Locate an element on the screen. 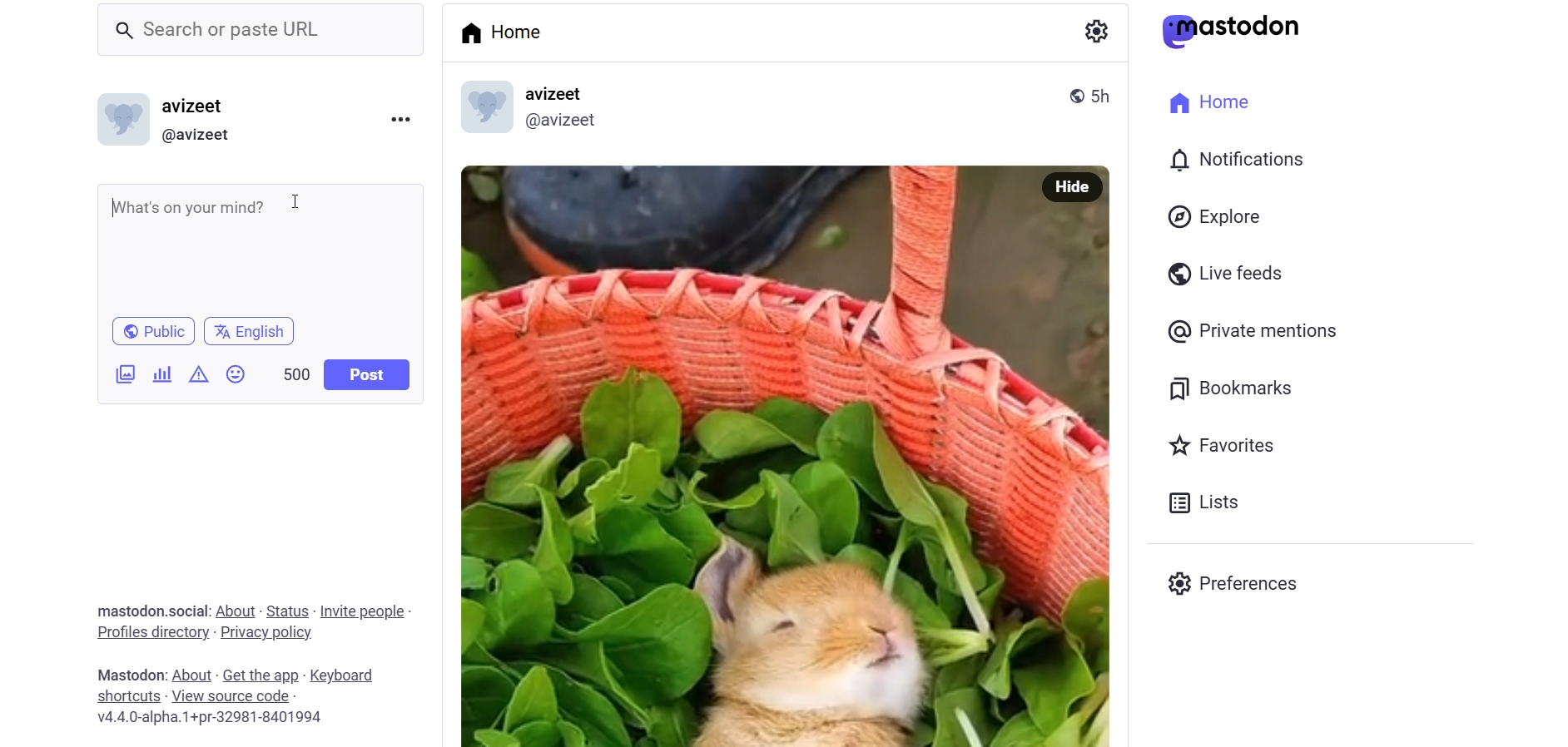 Image resolution: width=1568 pixels, height=747 pixels. text is located at coordinates (127, 610).